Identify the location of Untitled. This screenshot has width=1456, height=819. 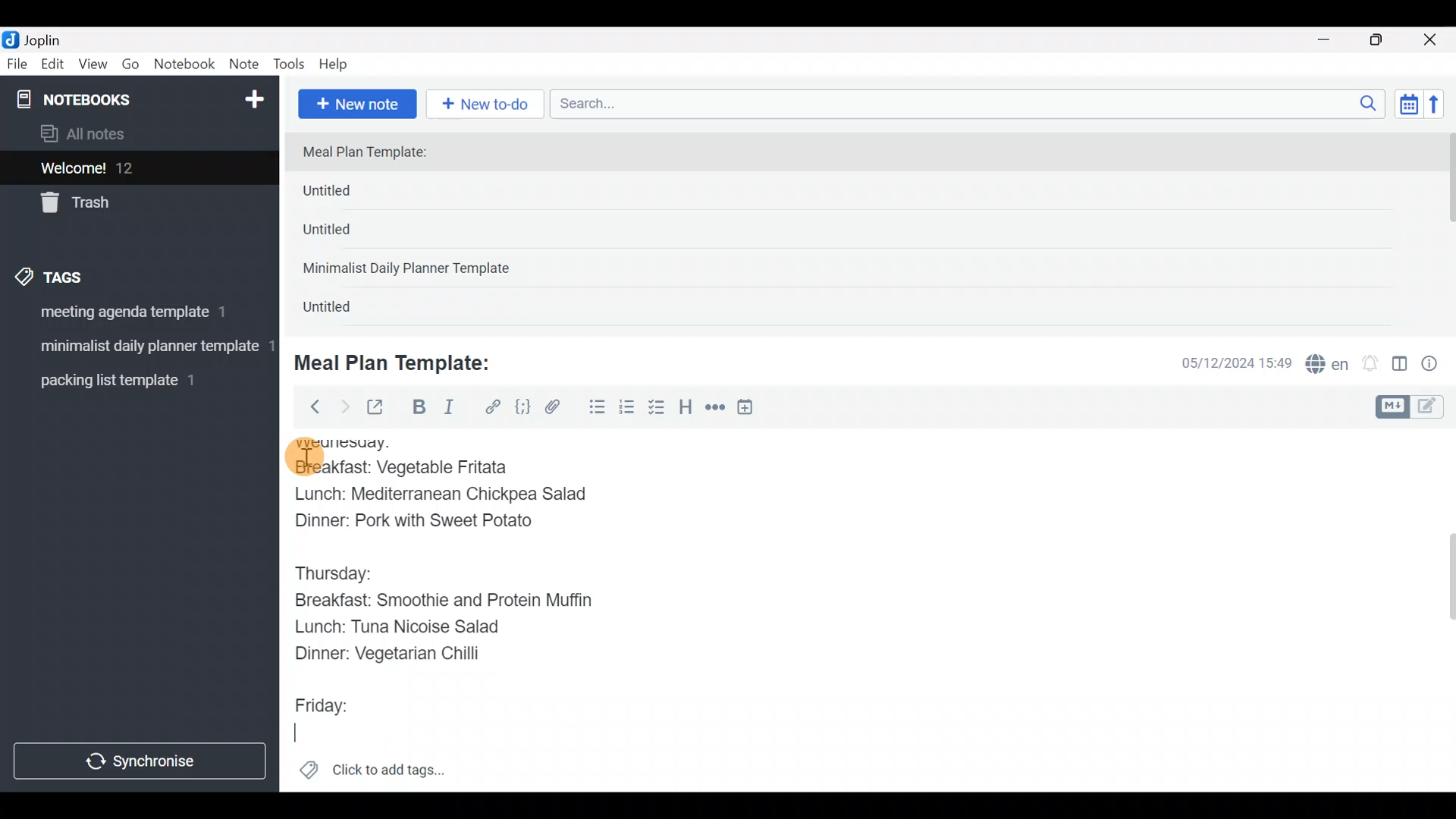
(344, 310).